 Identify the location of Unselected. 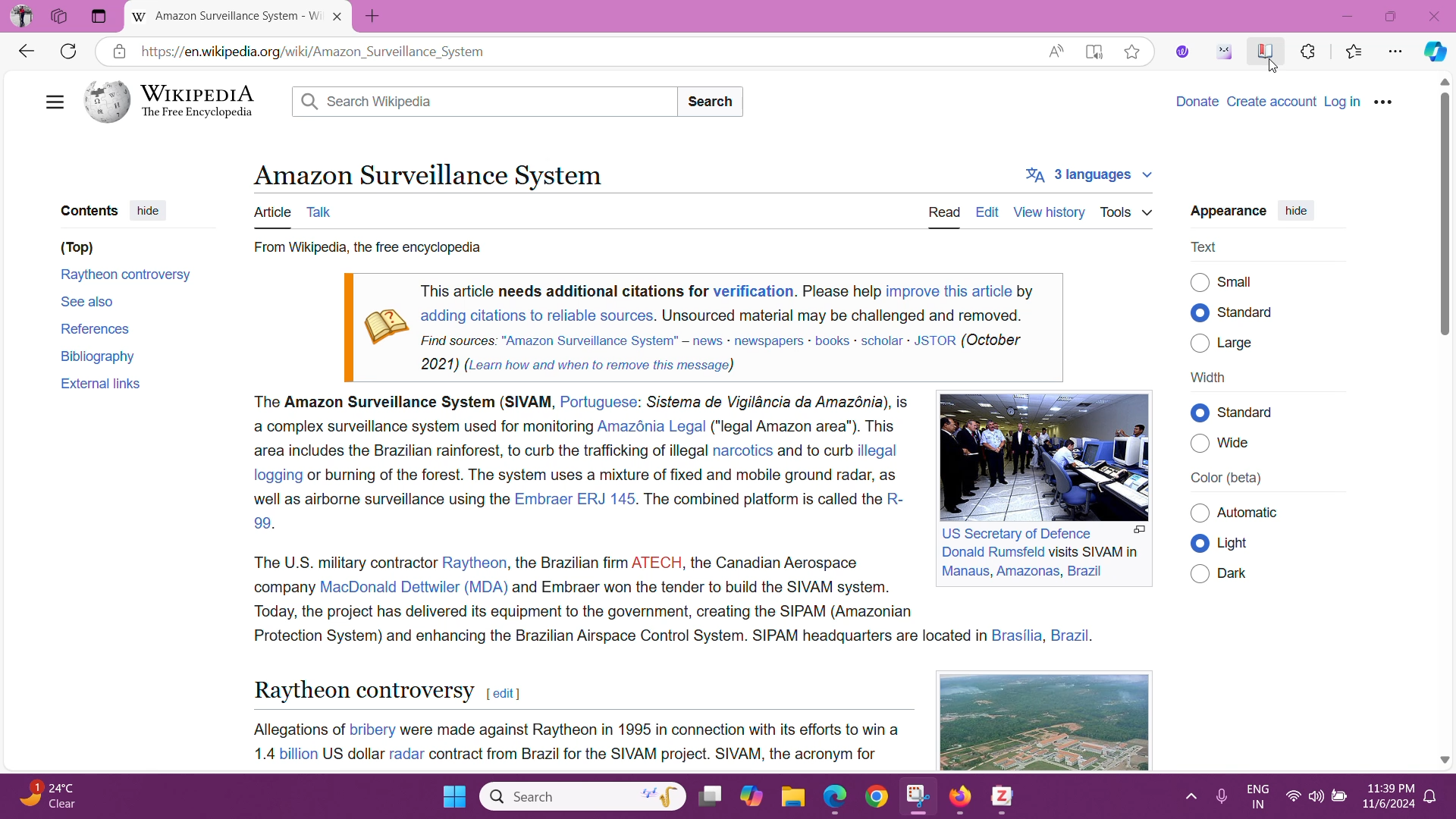
(1200, 281).